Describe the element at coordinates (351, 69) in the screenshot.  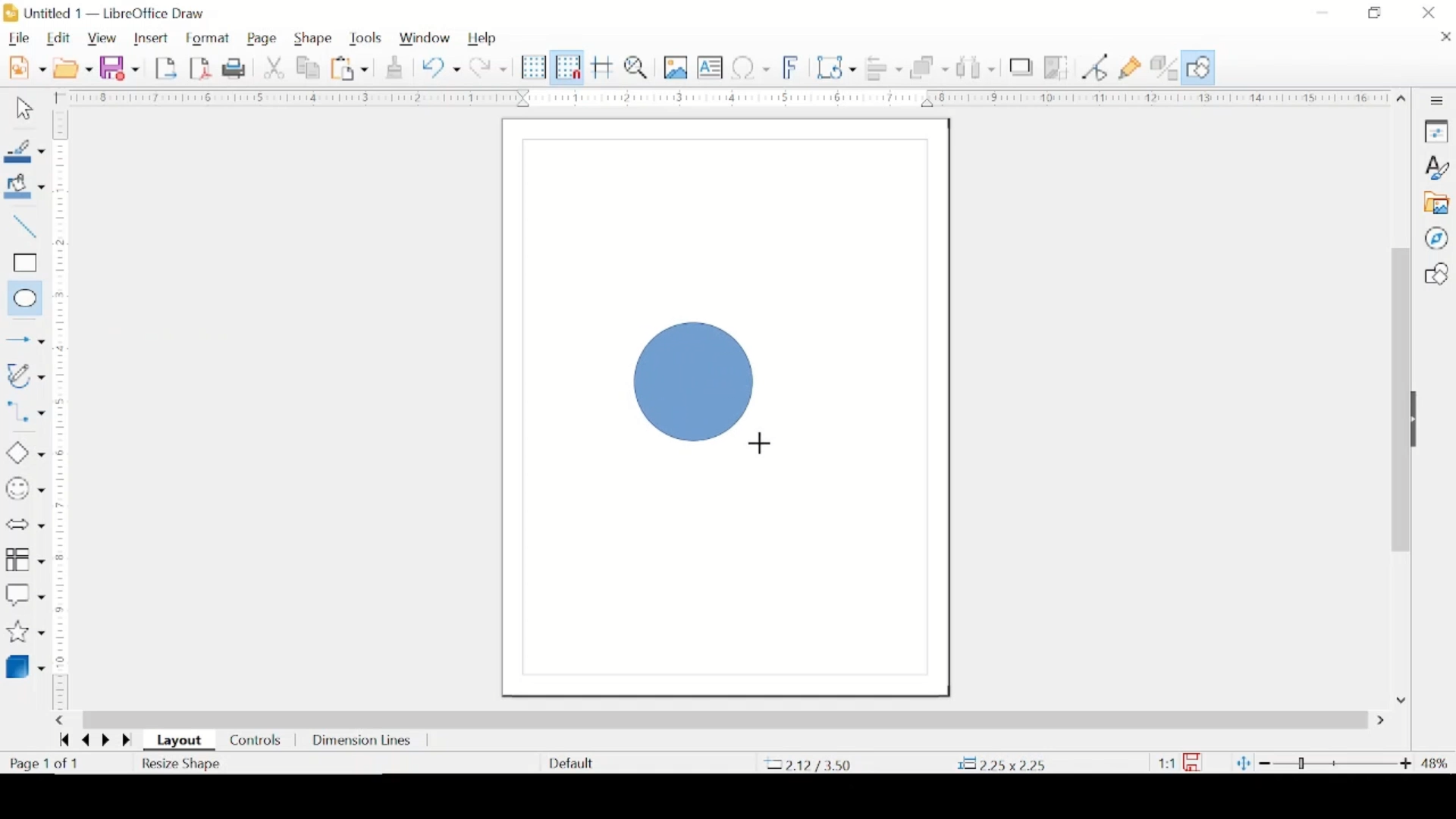
I see `paste` at that location.